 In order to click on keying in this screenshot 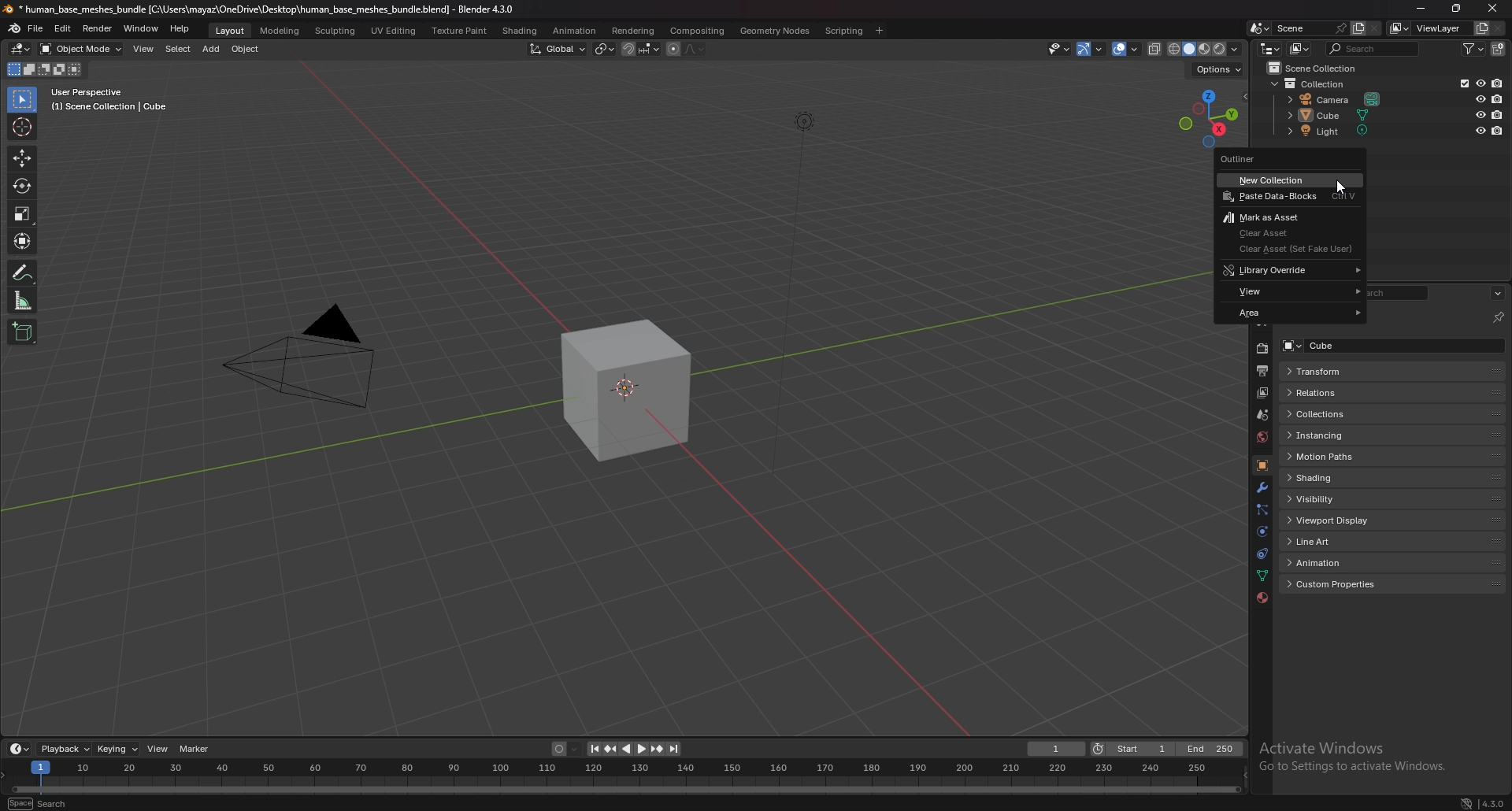, I will do `click(120, 749)`.